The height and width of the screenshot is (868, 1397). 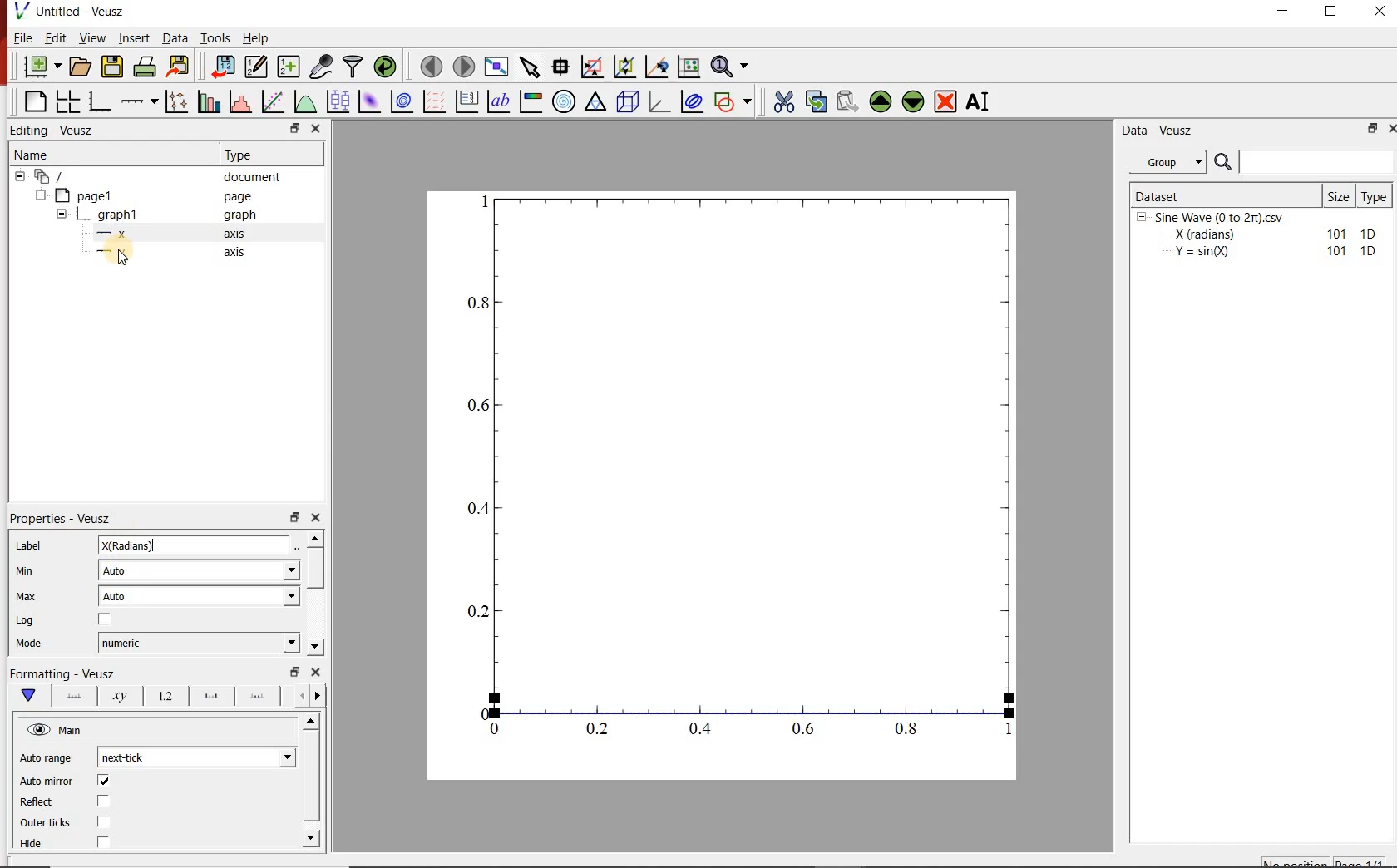 I want to click on Close, so click(x=317, y=672).